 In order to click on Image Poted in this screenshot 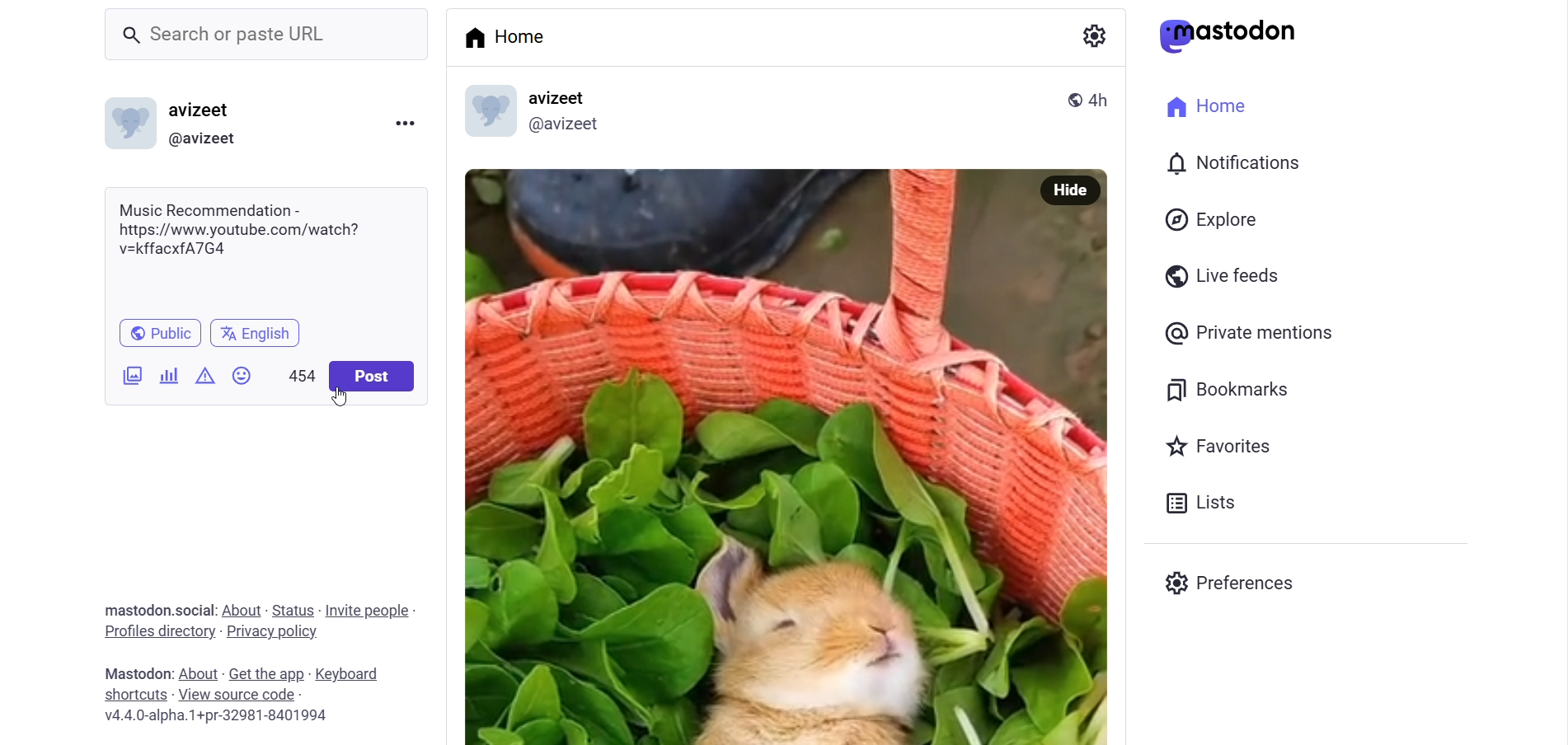, I will do `click(749, 457)`.